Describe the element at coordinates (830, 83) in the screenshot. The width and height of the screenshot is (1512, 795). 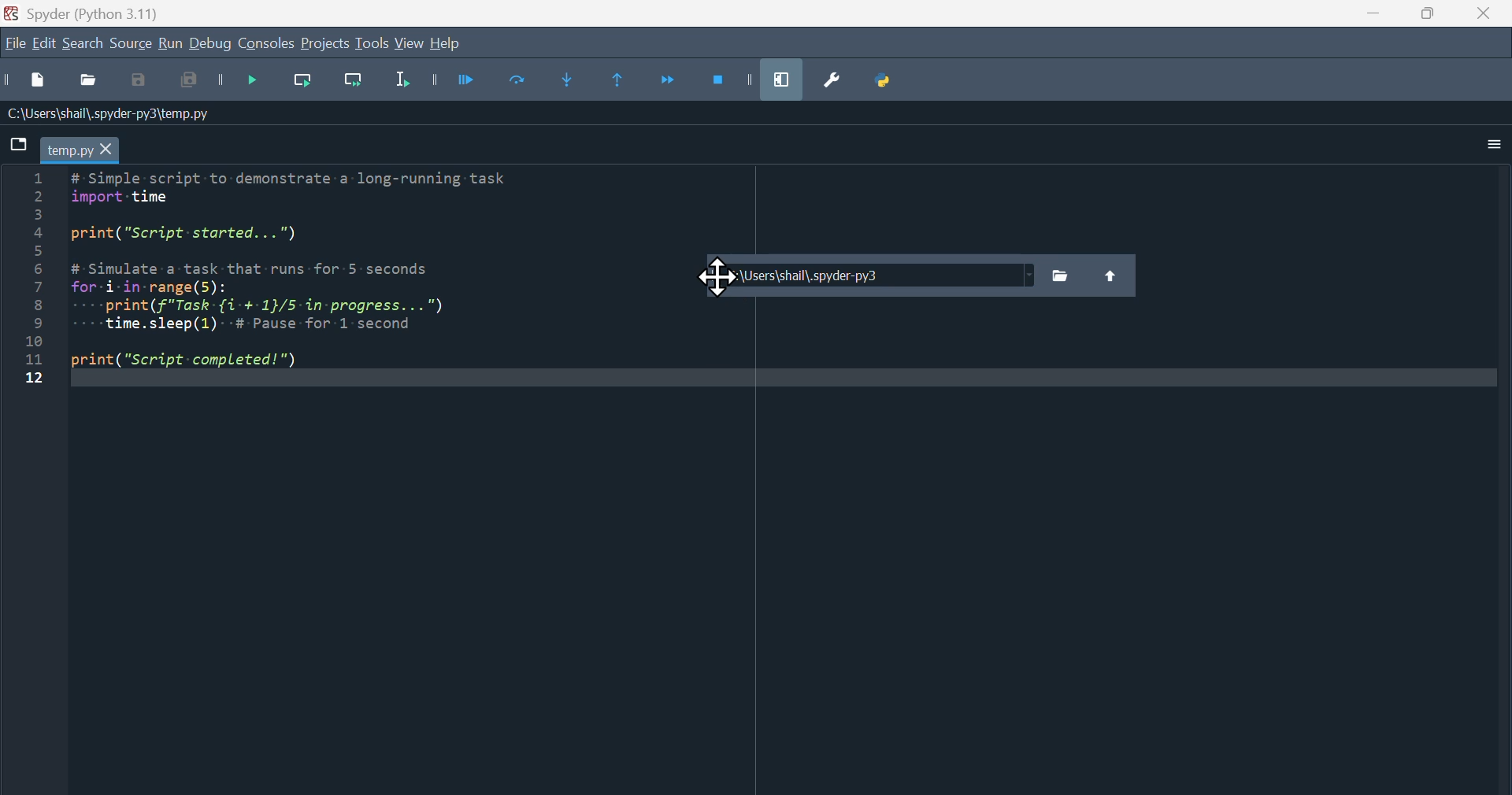
I see `Preferences` at that location.